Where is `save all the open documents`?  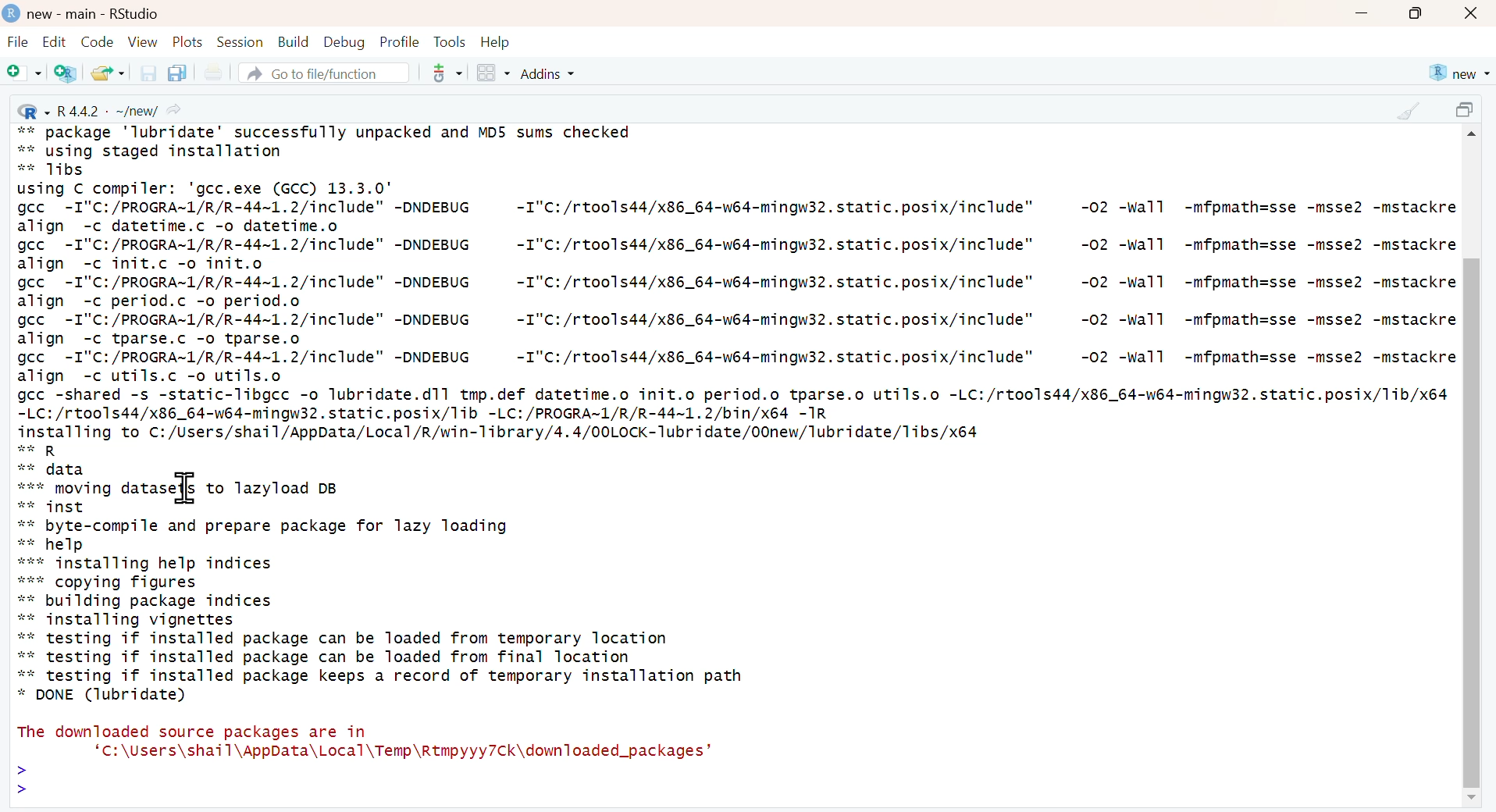
save all the open documents is located at coordinates (176, 72).